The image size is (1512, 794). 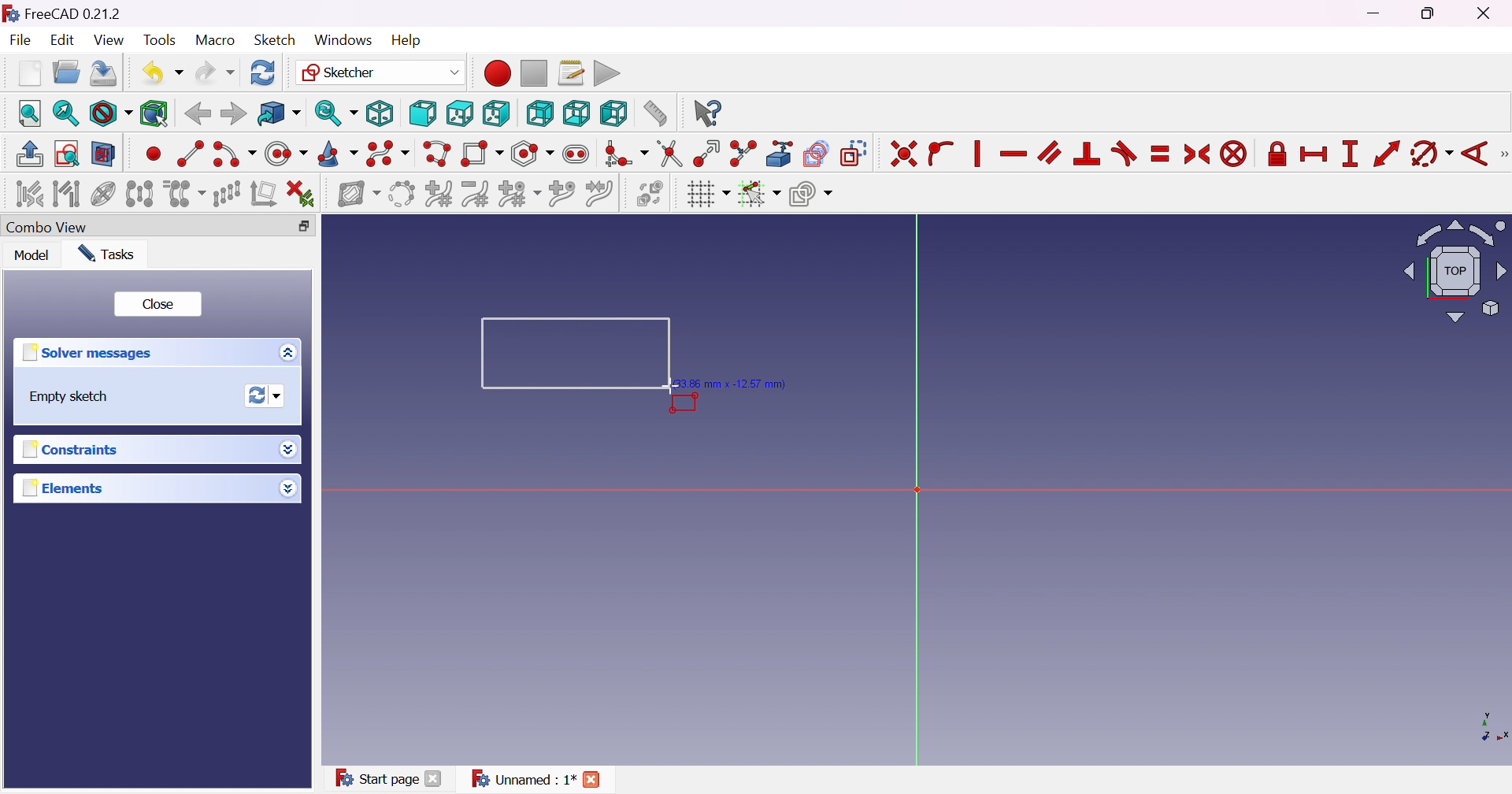 What do you see at coordinates (439, 192) in the screenshot?
I see `Increase B-spline degree` at bounding box center [439, 192].